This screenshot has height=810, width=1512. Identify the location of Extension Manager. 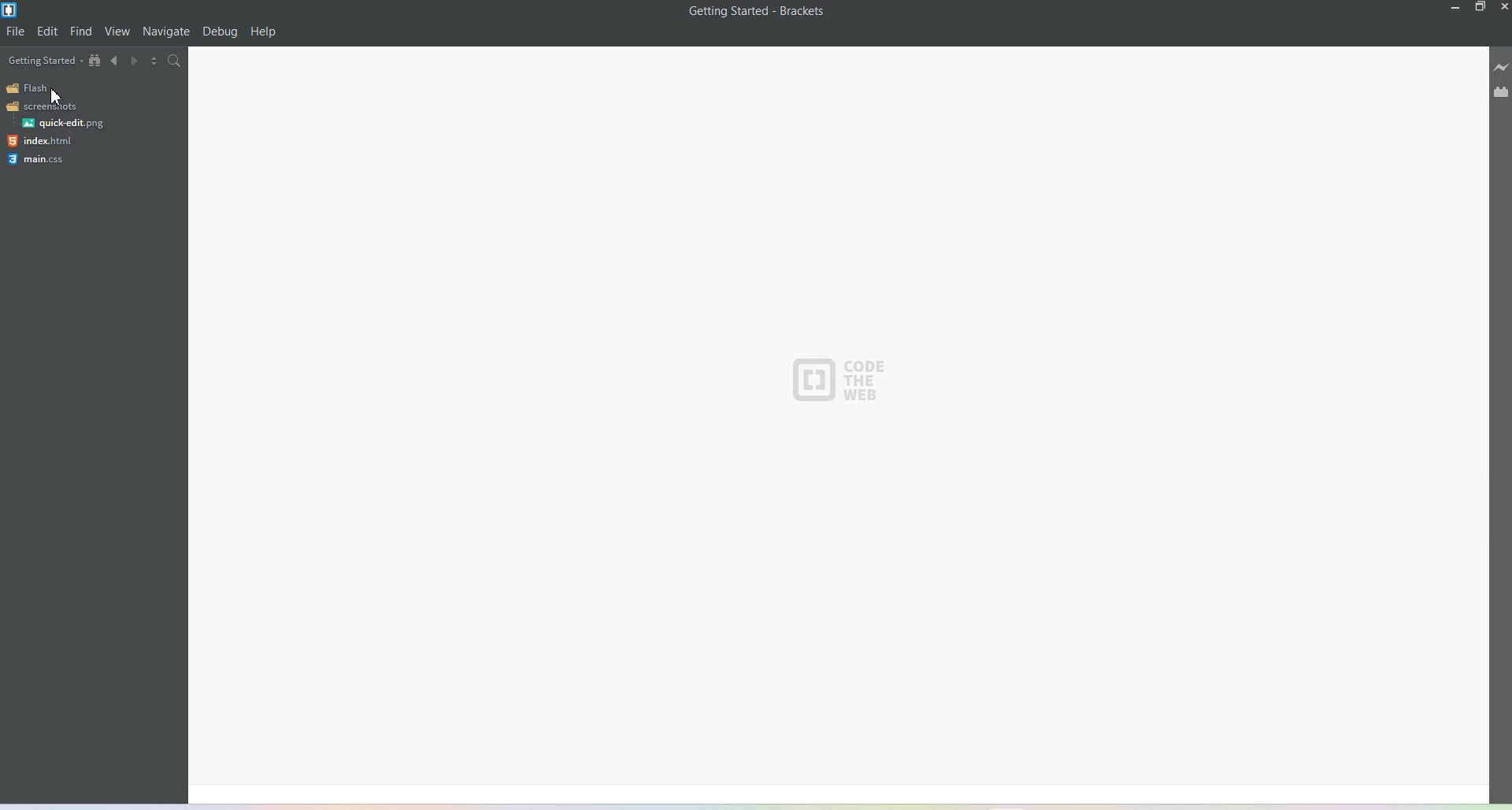
(1501, 94).